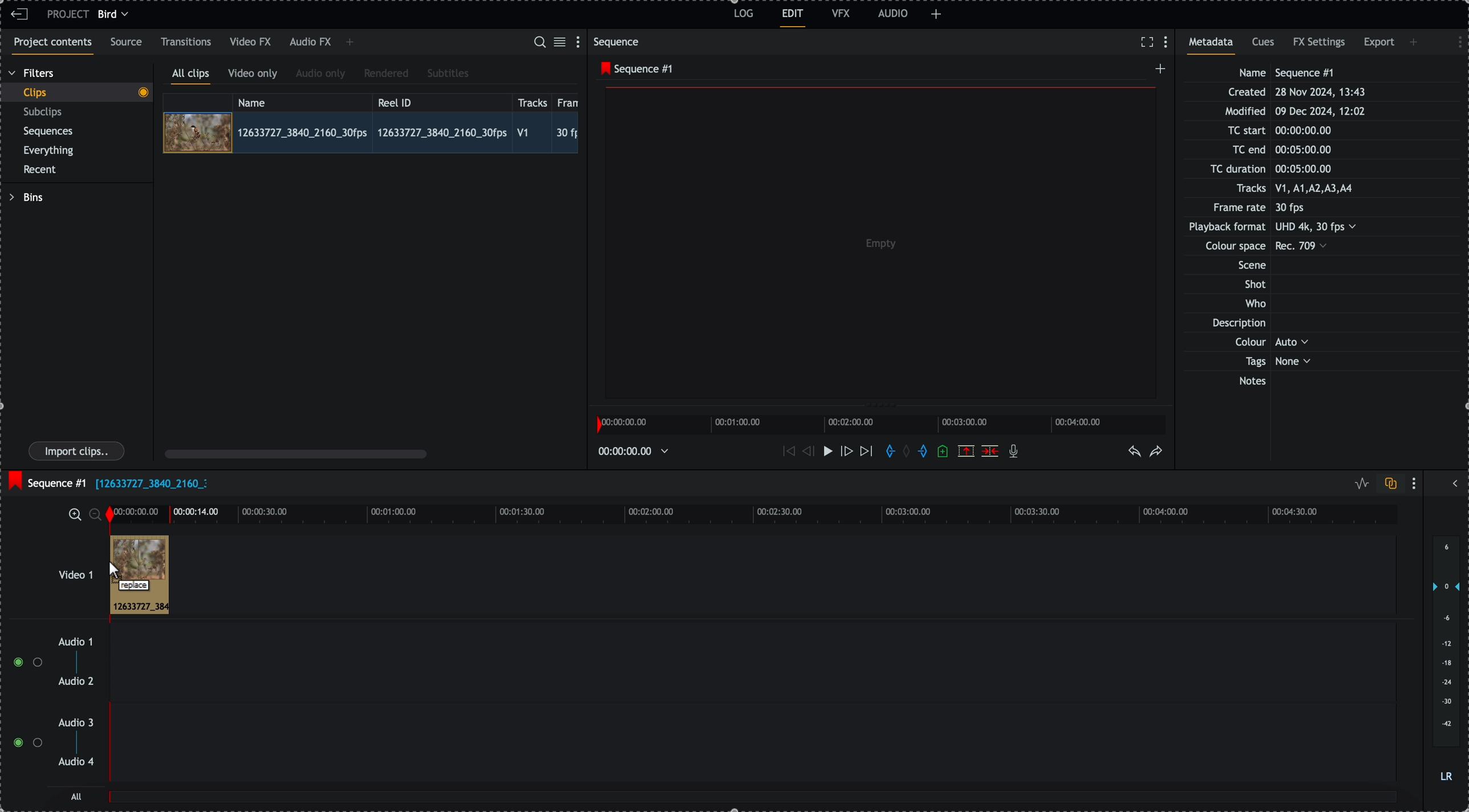 The image size is (1469, 812). Describe the element at coordinates (944, 452) in the screenshot. I see `add a cue at the current position` at that location.